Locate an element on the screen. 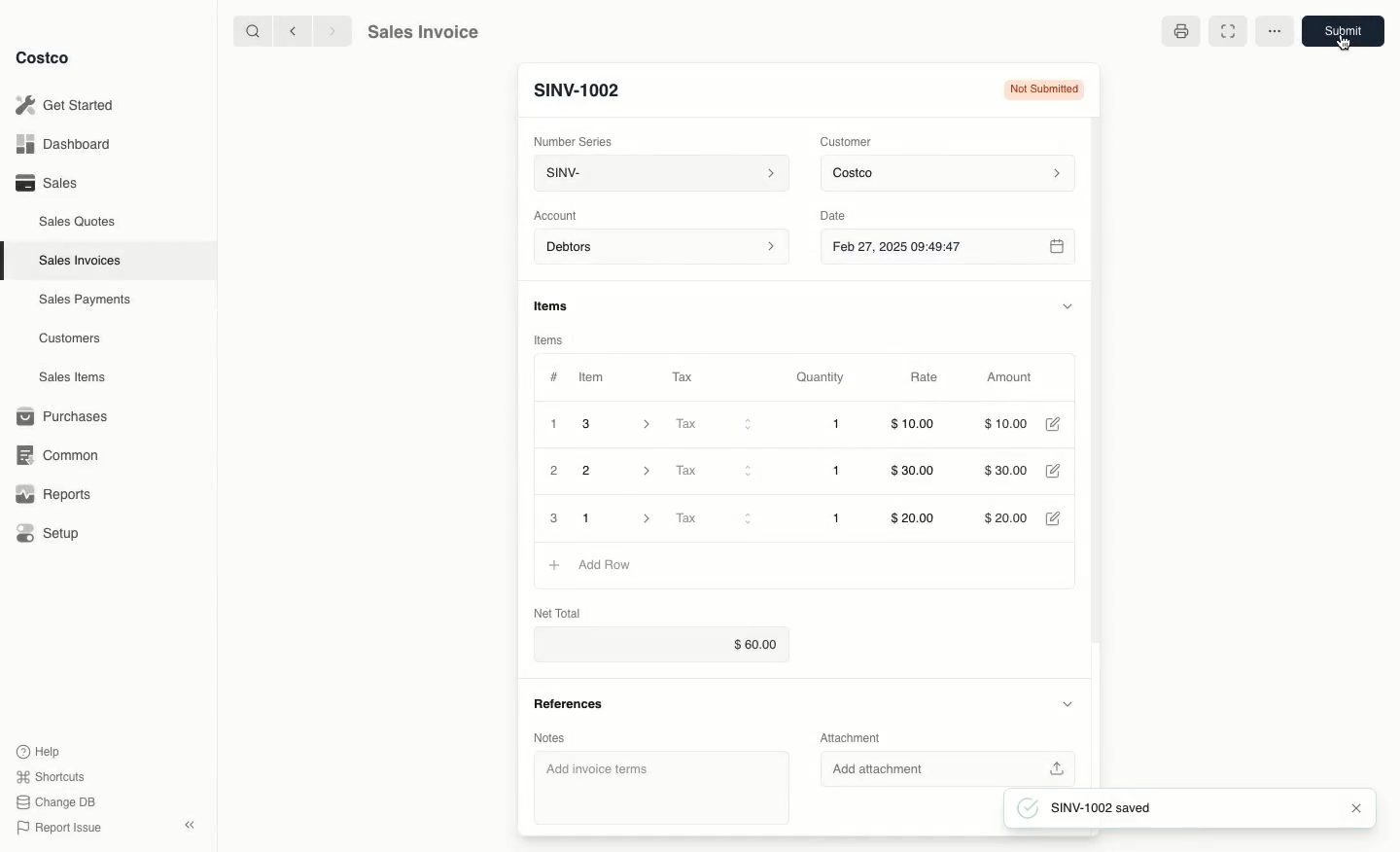  Close is located at coordinates (1355, 811).